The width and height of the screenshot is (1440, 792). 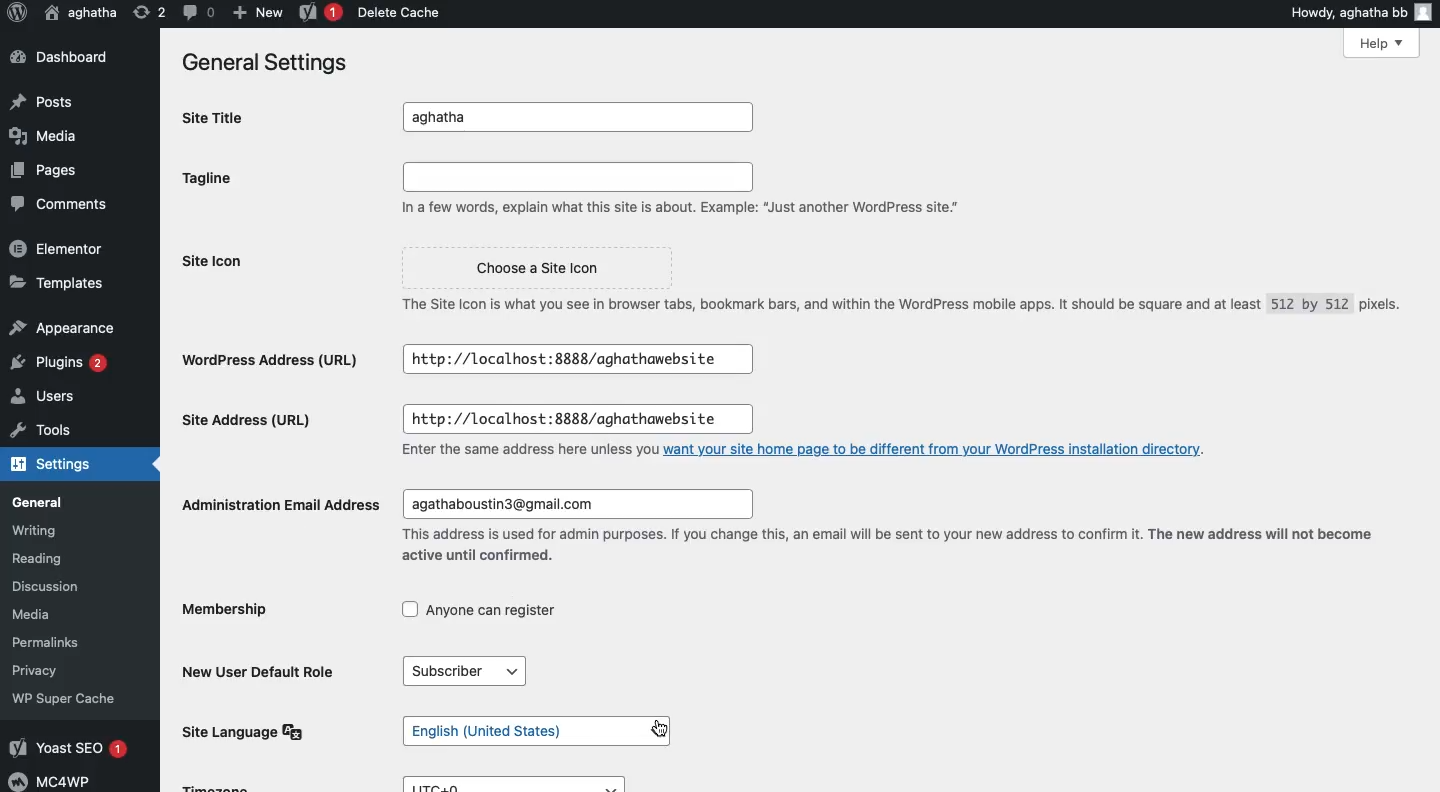 What do you see at coordinates (894, 311) in the screenshot?
I see `The Site Icon is what you see in browser tabs, bookmark bars, and within the WordPress mobile apps. It should be square and at least 512 by 512 pixels.` at bounding box center [894, 311].